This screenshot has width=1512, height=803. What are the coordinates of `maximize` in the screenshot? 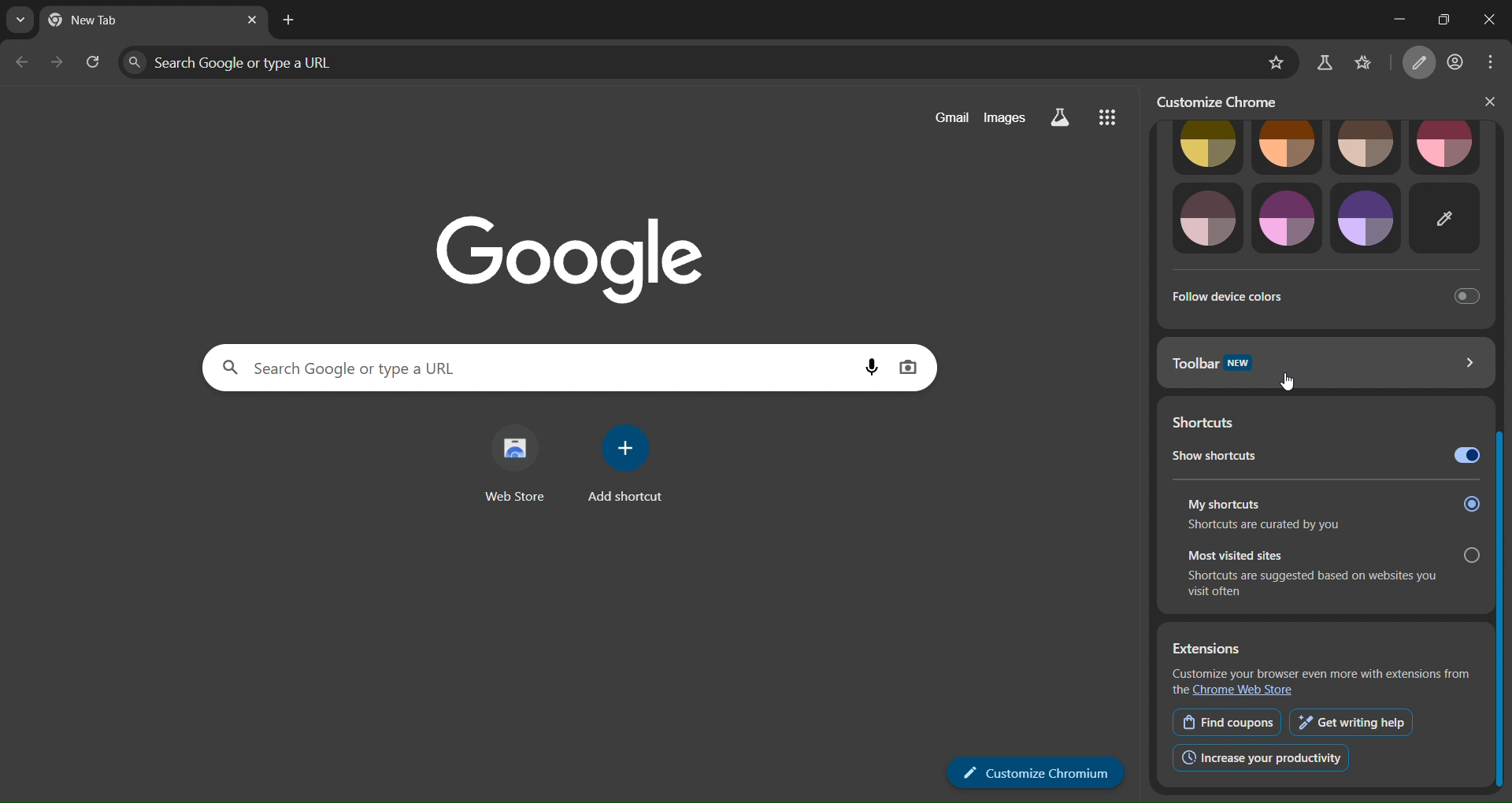 It's located at (1440, 18).